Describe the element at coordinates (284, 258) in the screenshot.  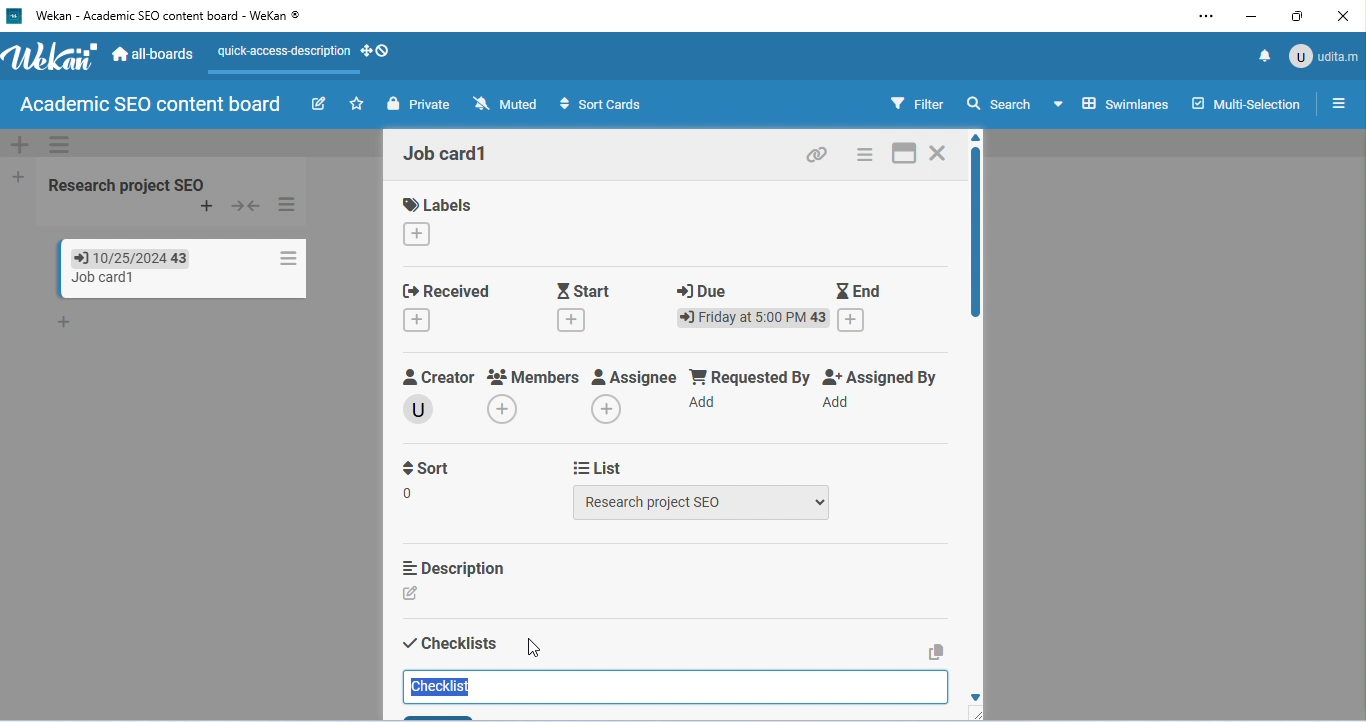
I see `card actions` at that location.